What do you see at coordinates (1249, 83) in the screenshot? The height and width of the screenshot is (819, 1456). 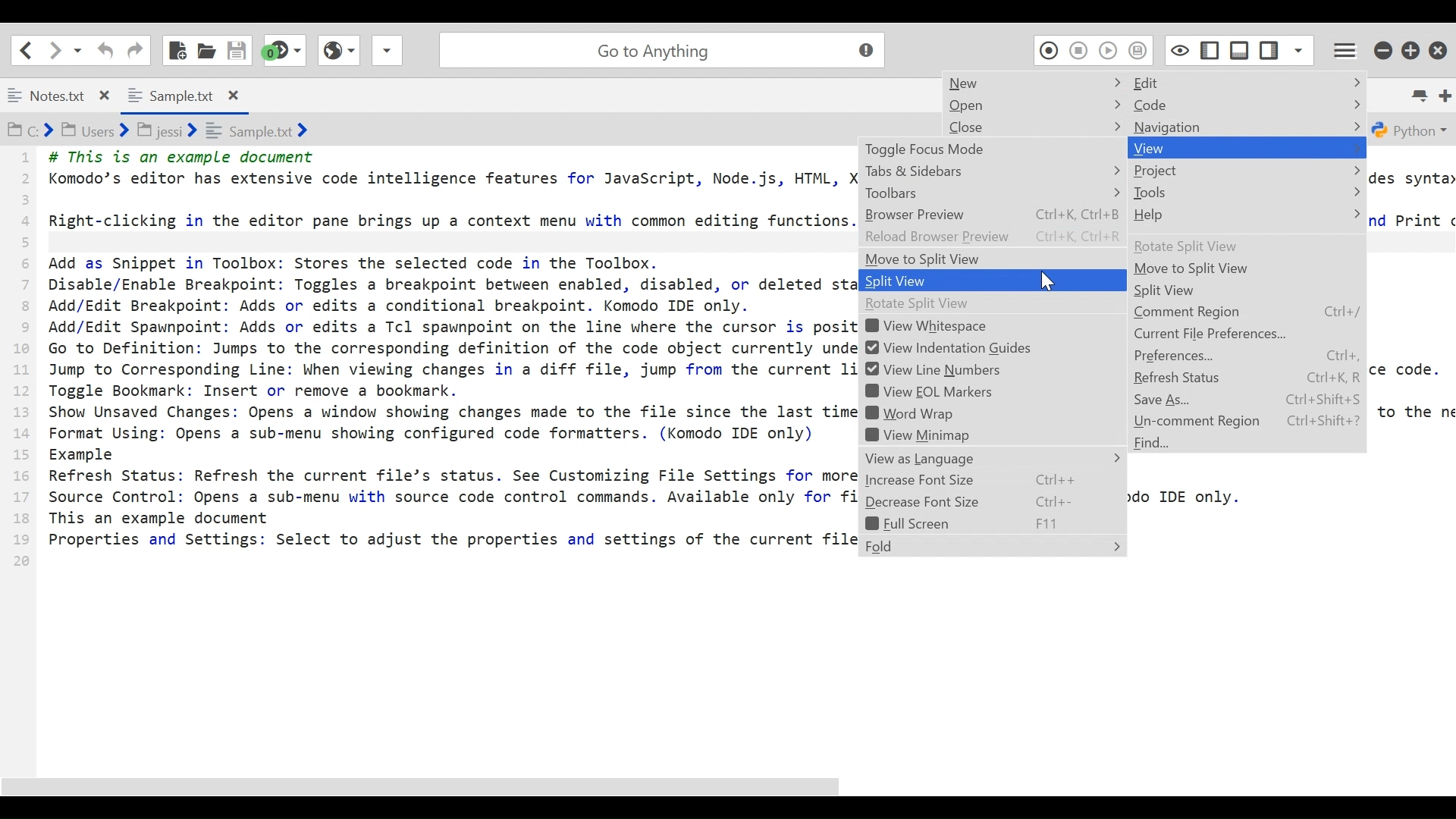 I see `Edit` at bounding box center [1249, 83].